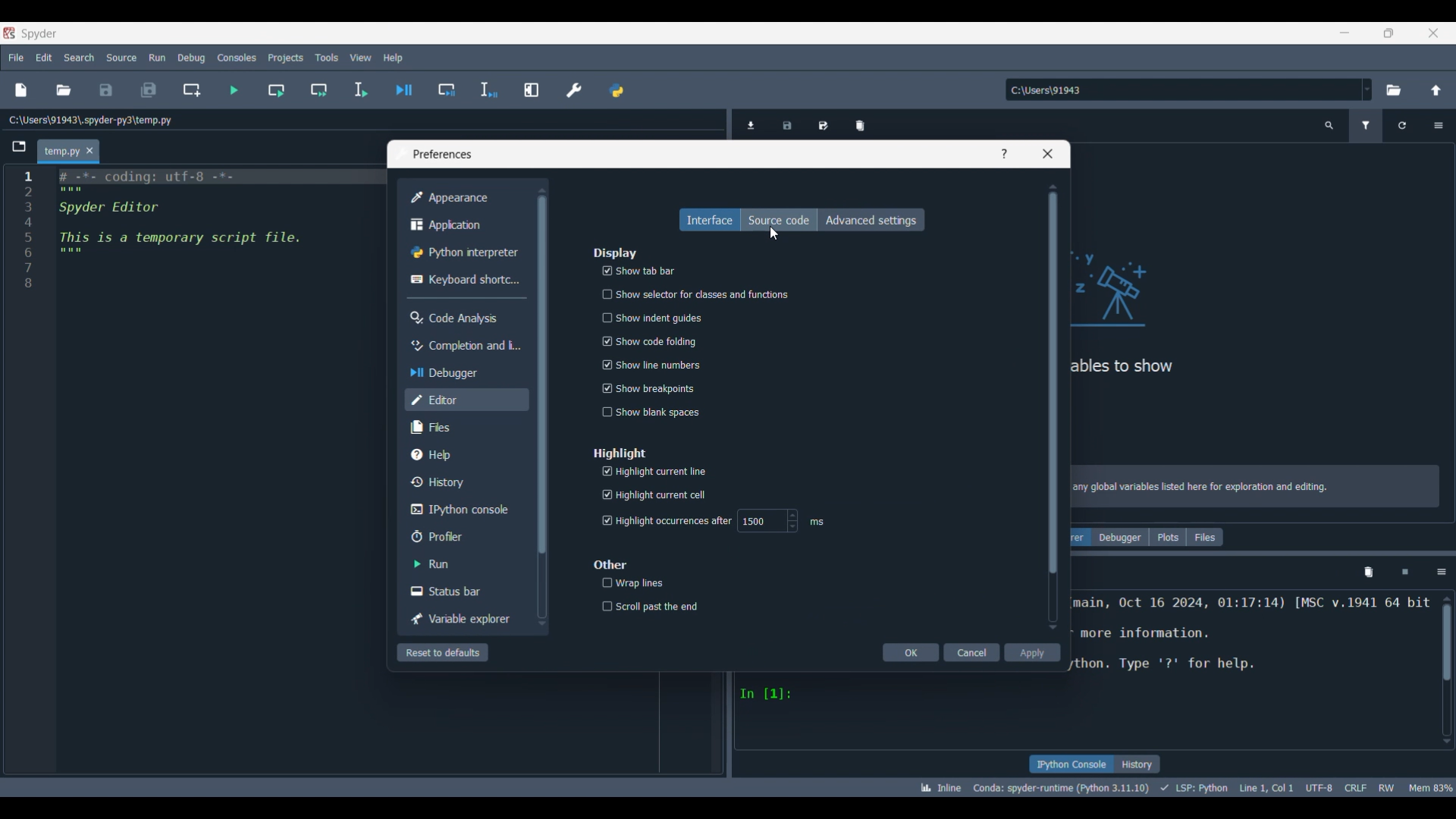 Image resolution: width=1456 pixels, height=819 pixels. I want to click on Browse tabs, so click(19, 147).